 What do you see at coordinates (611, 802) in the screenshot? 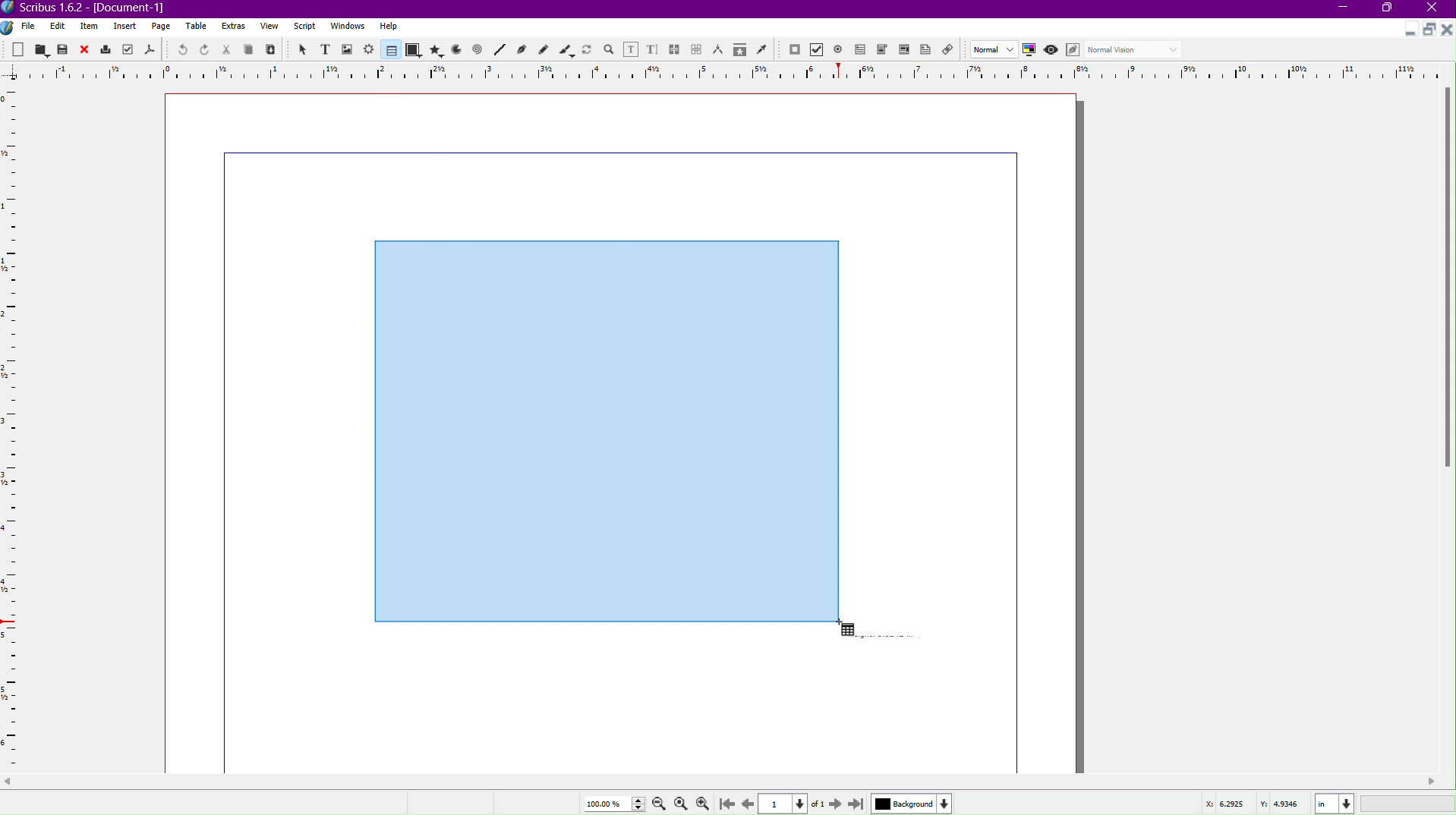
I see `Zoom Value` at bounding box center [611, 802].